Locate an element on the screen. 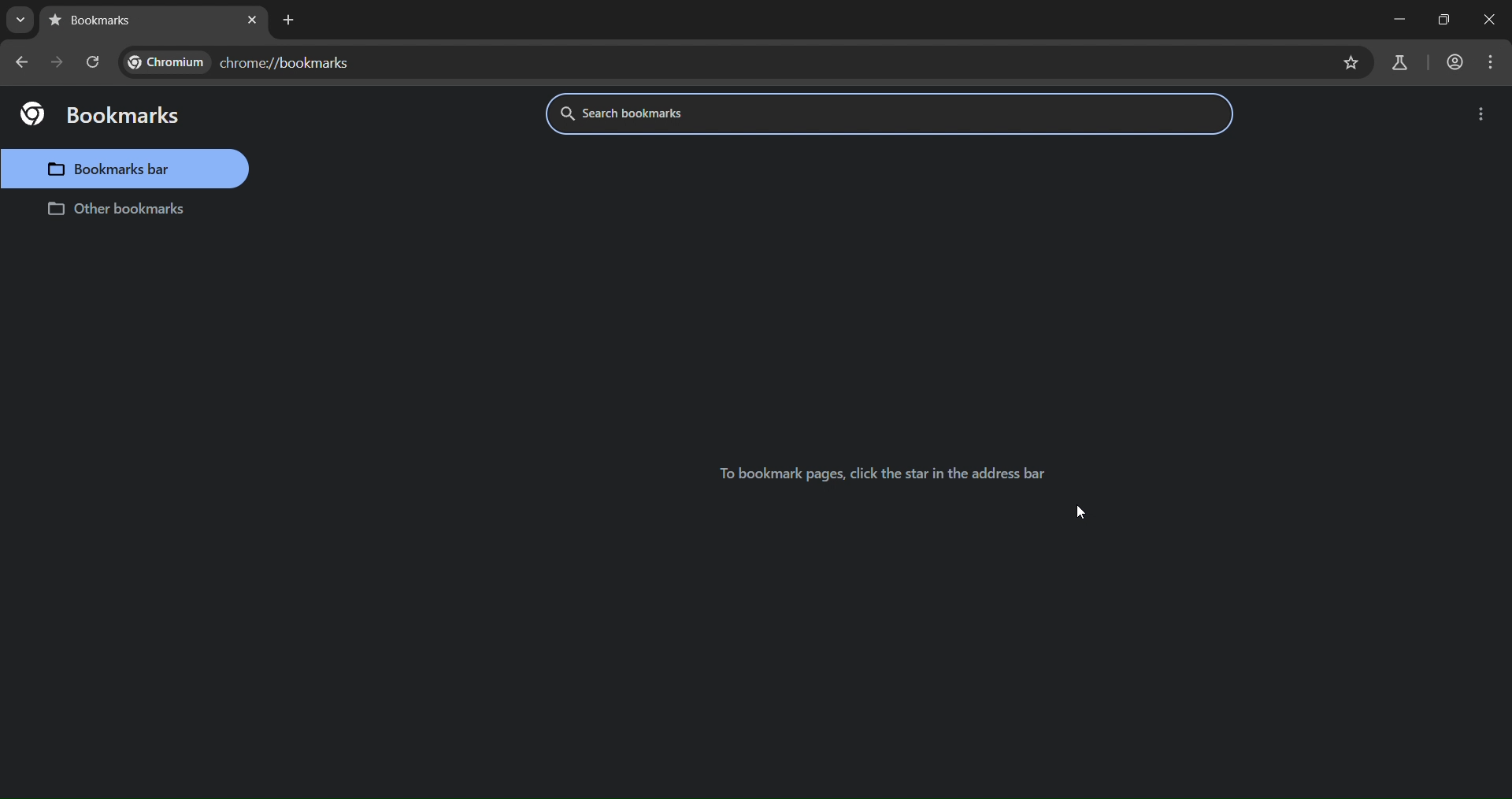 The width and height of the screenshot is (1512, 799). search bookmarks is located at coordinates (678, 114).